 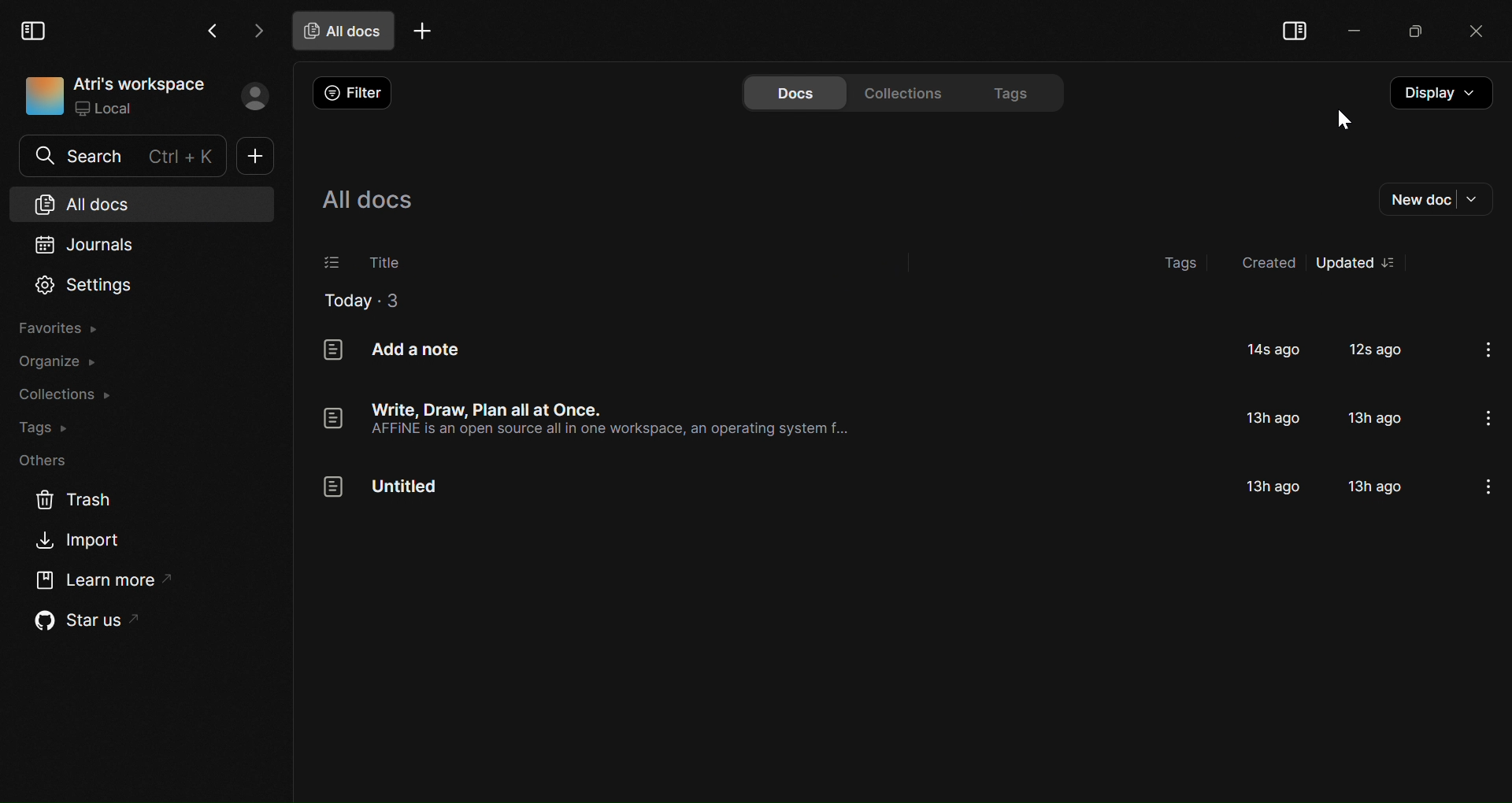 What do you see at coordinates (255, 30) in the screenshot?
I see `Go forward` at bounding box center [255, 30].